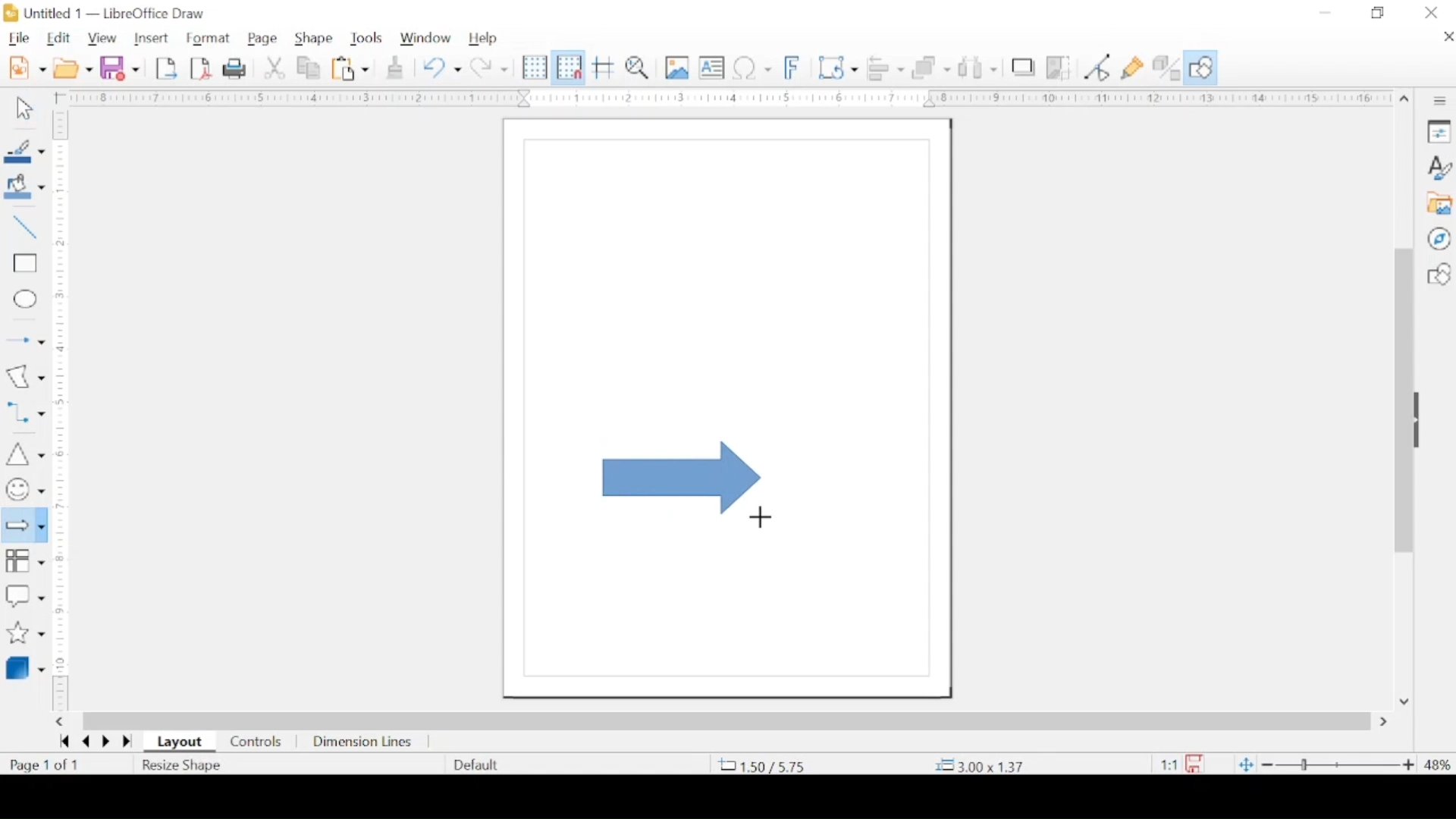 Image resolution: width=1456 pixels, height=819 pixels. I want to click on cut, so click(275, 67).